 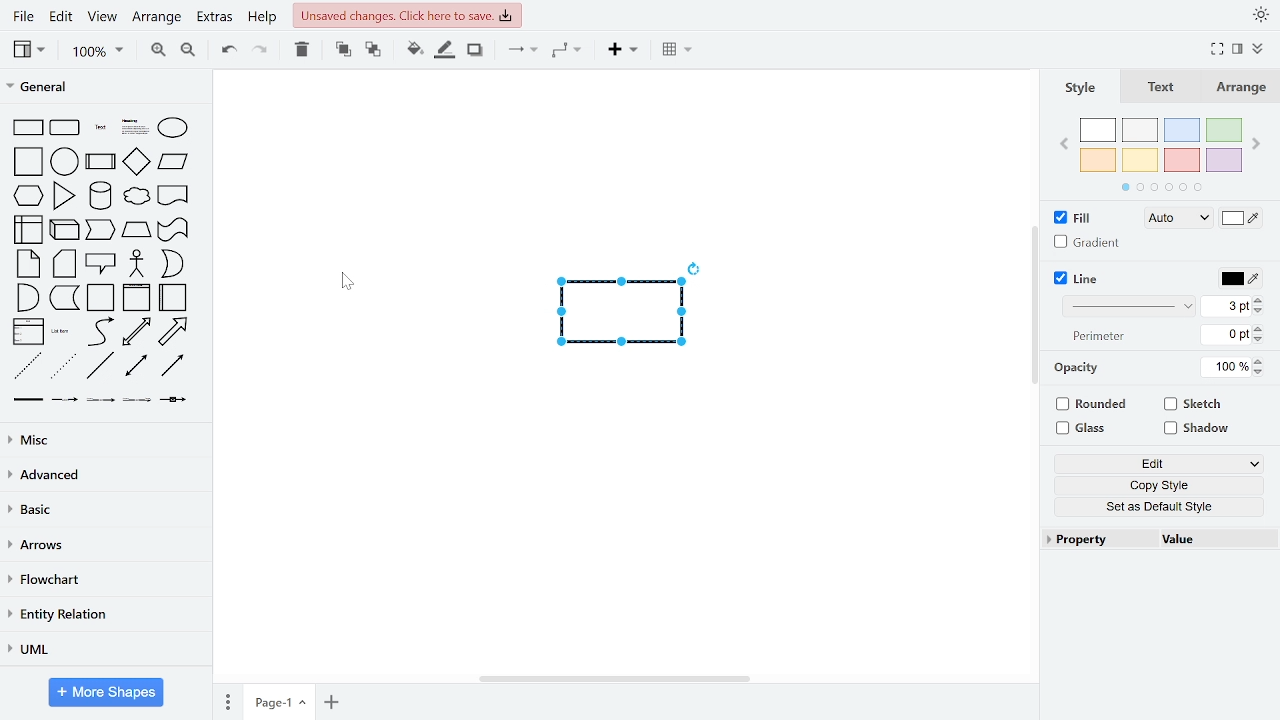 I want to click on to front, so click(x=342, y=52).